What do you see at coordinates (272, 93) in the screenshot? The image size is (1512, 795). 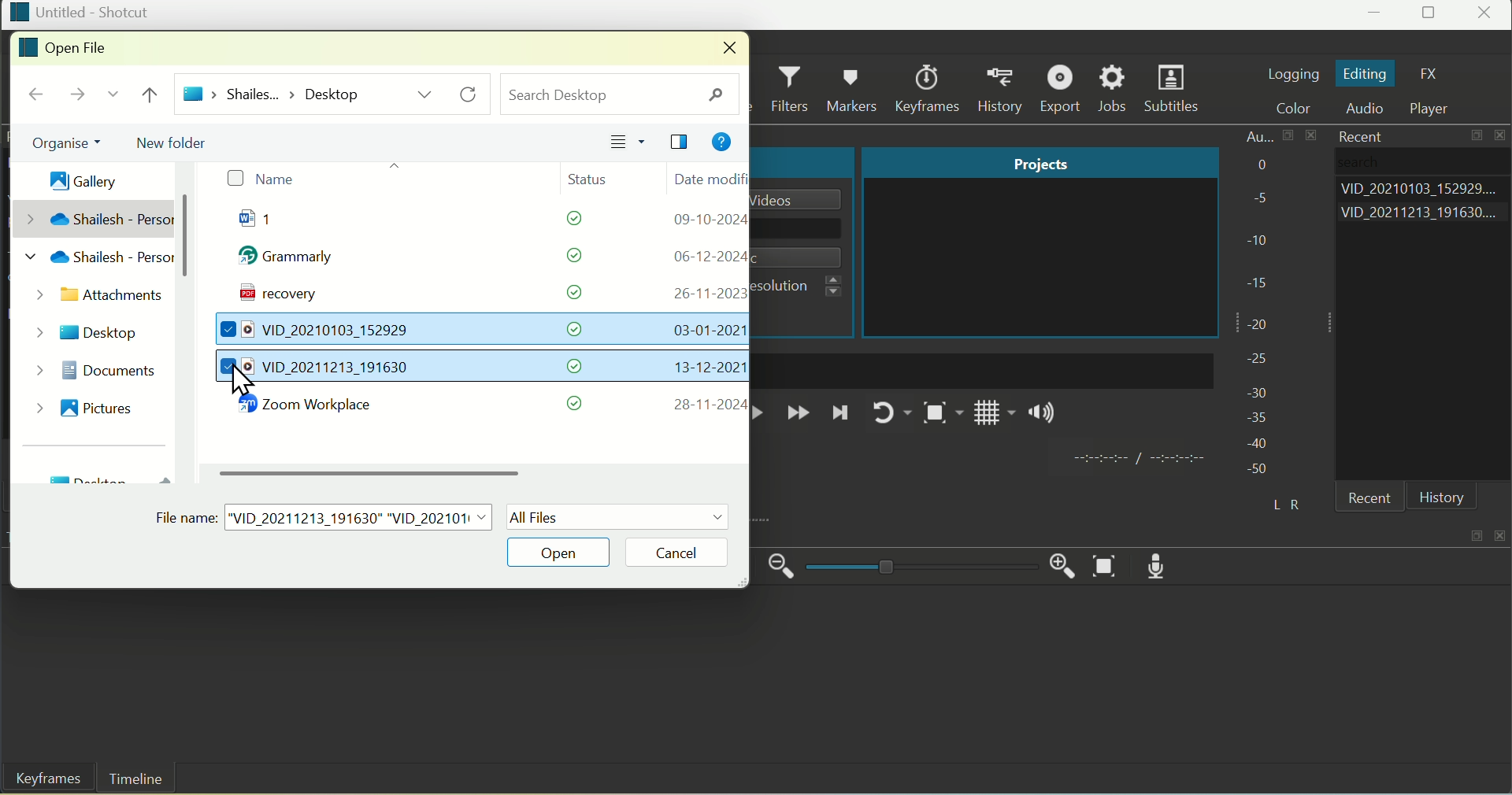 I see `path` at bounding box center [272, 93].